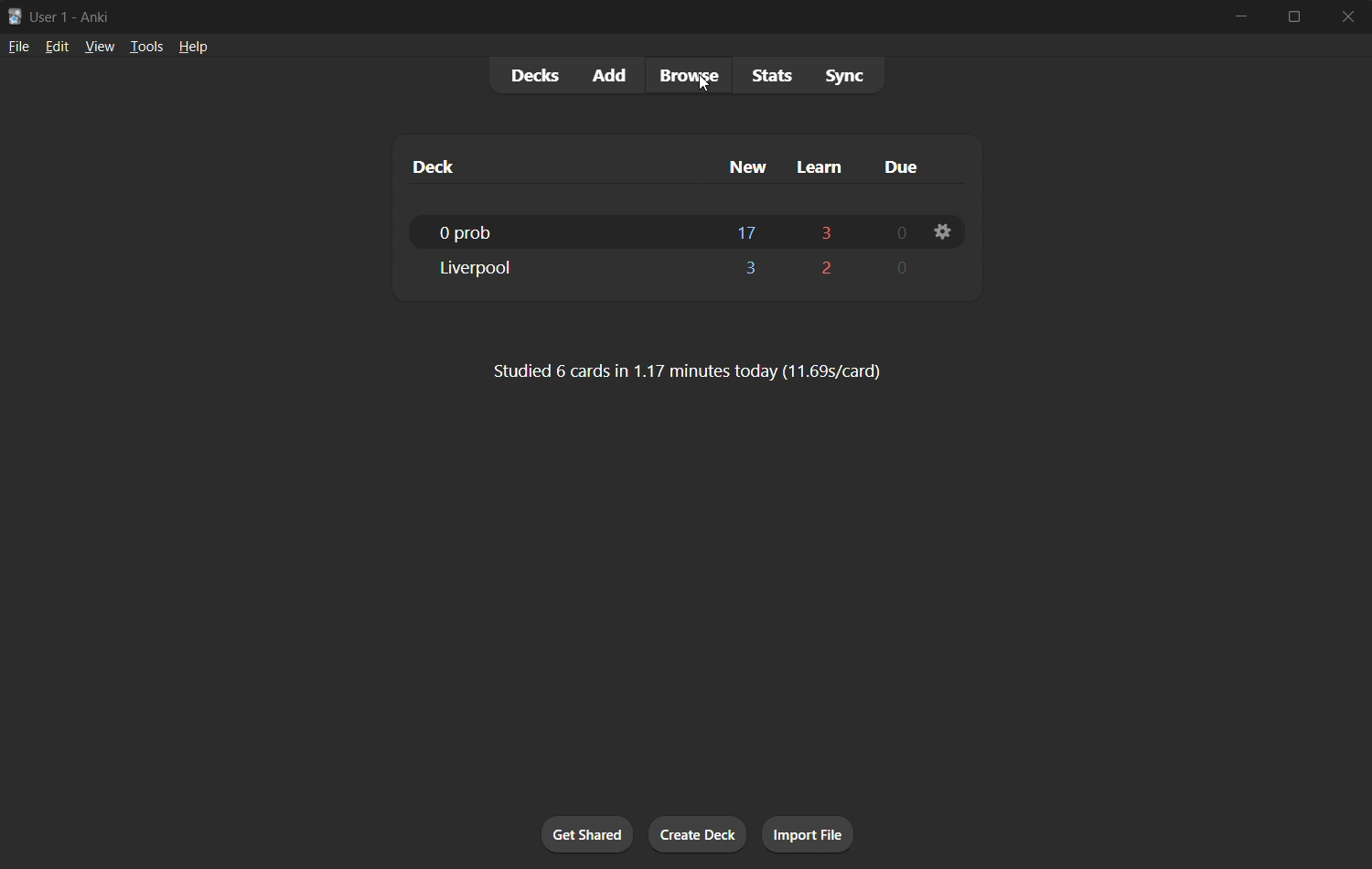  Describe the element at coordinates (700, 837) in the screenshot. I see `create deck` at that location.